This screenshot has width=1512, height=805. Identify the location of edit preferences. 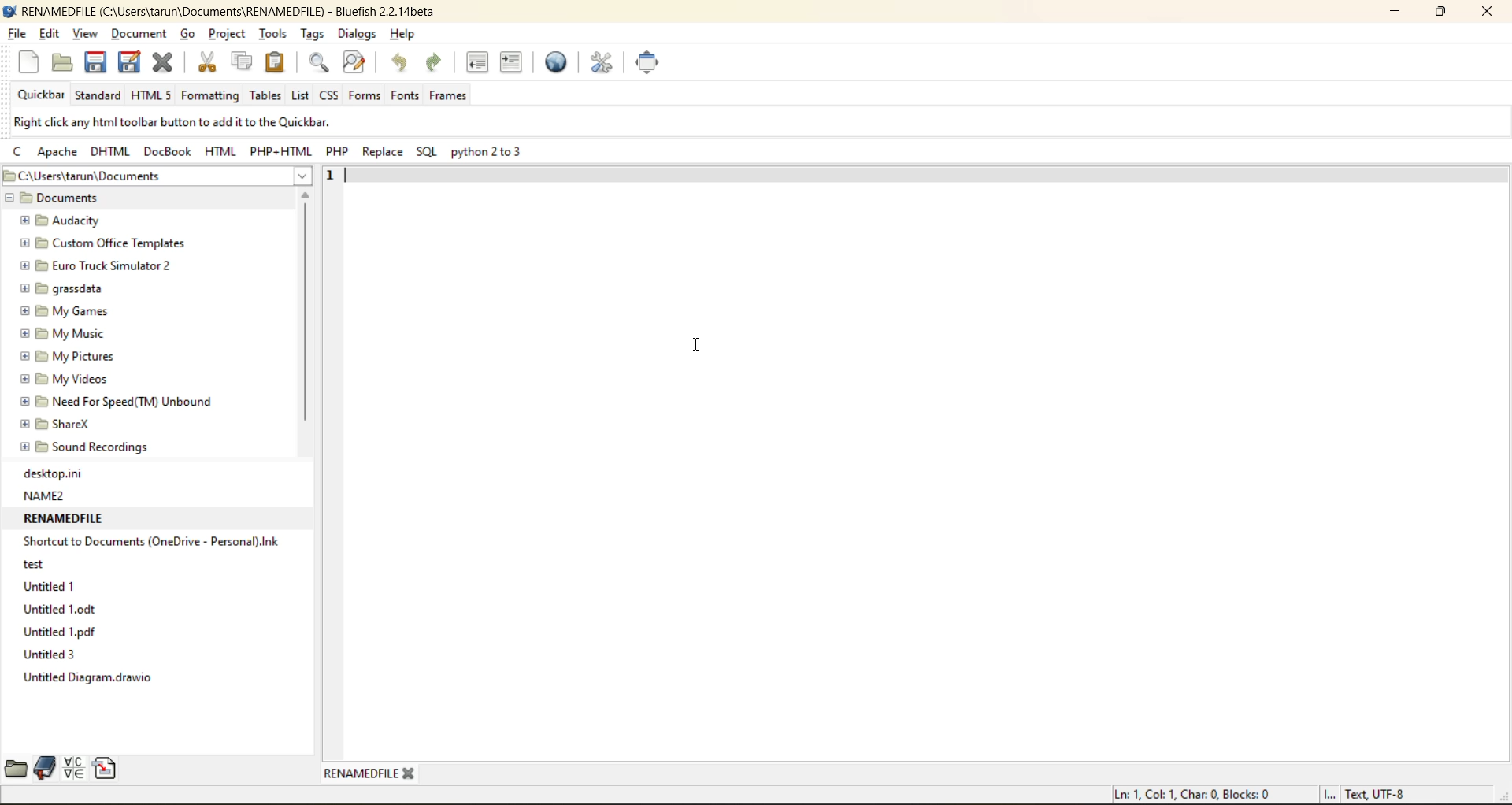
(600, 62).